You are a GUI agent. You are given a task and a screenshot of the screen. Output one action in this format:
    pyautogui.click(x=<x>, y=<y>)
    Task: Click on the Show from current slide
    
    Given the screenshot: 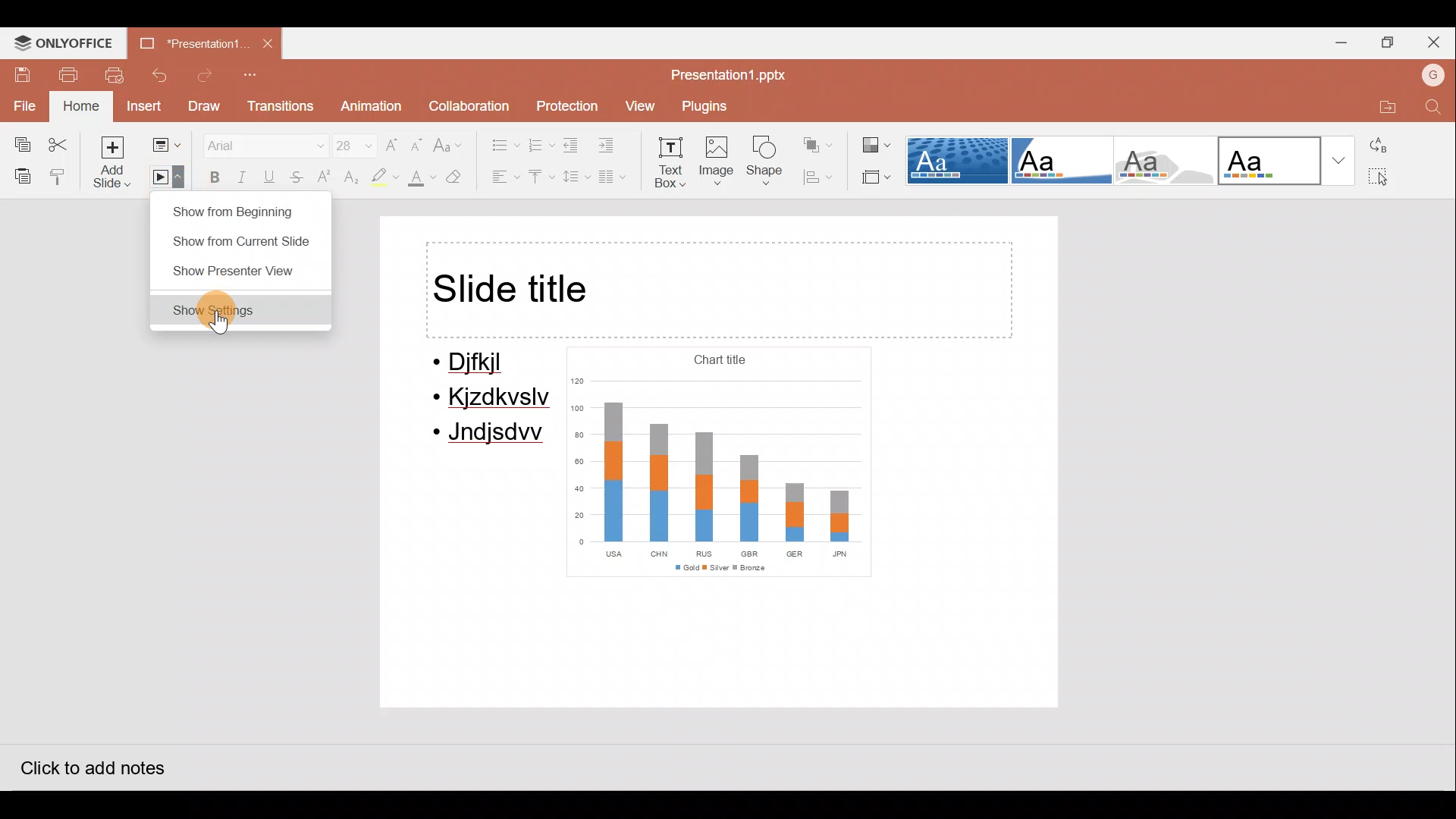 What is the action you would take?
    pyautogui.click(x=238, y=240)
    